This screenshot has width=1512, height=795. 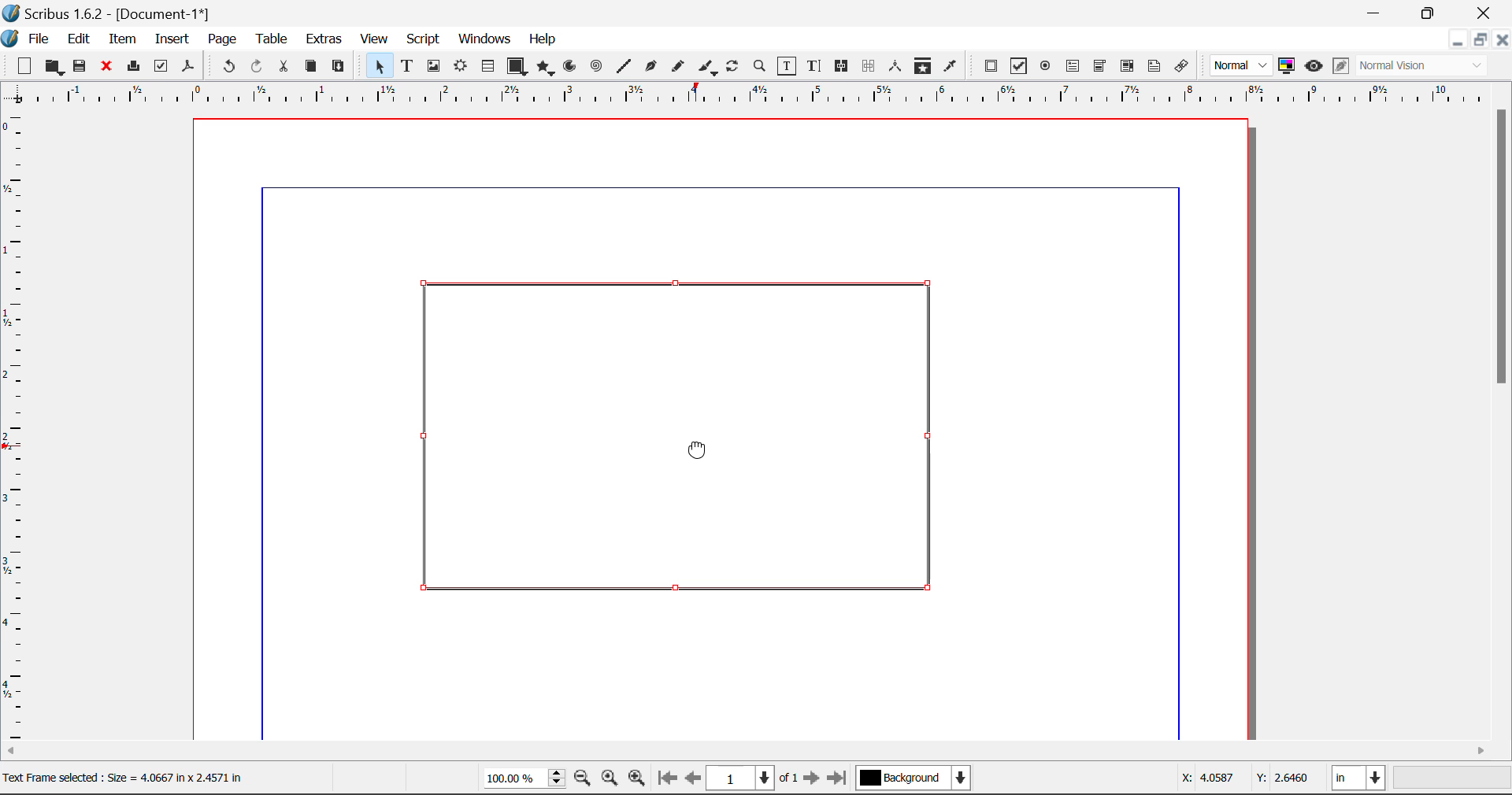 I want to click on Copy Item Properties, so click(x=922, y=66).